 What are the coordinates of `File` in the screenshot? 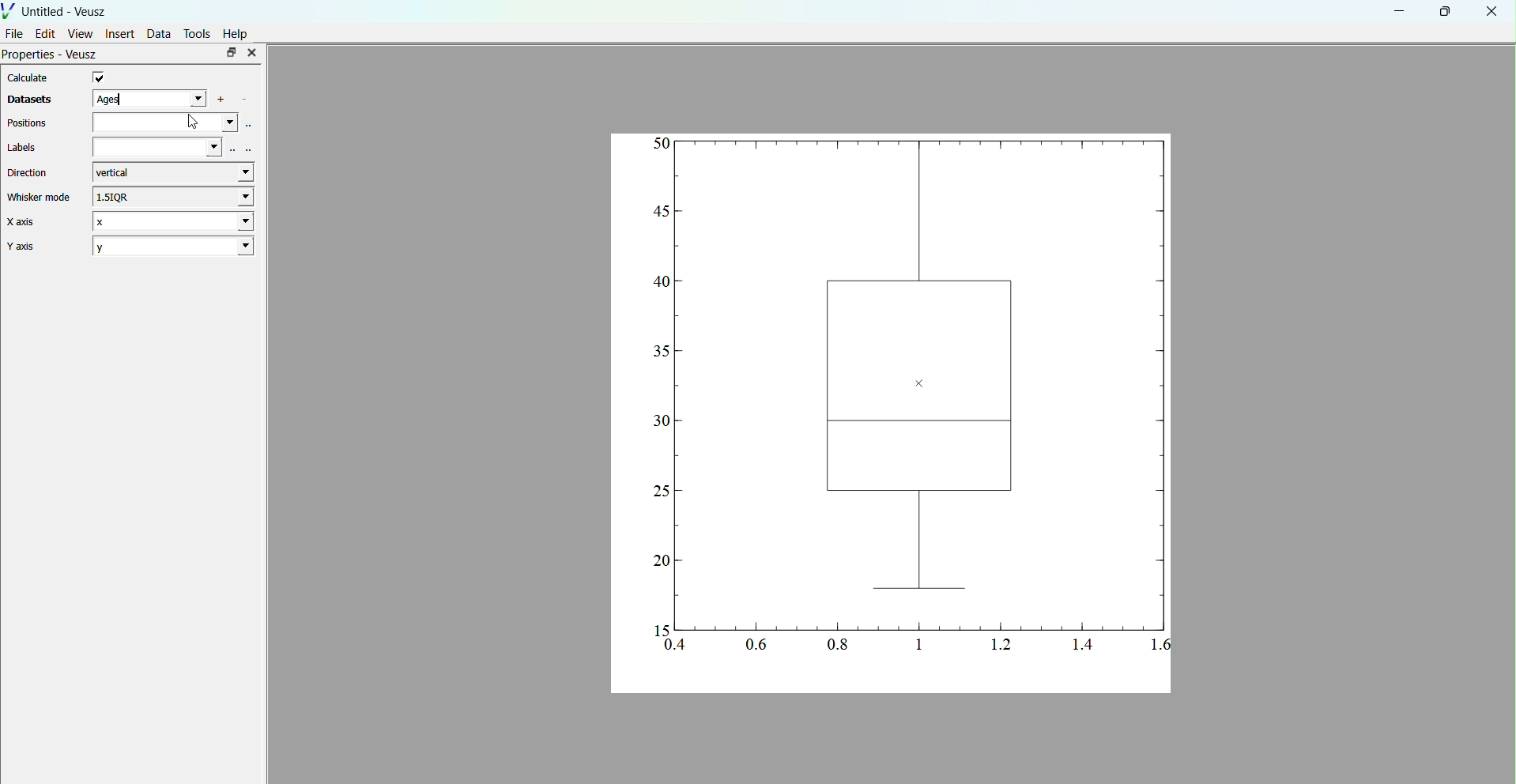 It's located at (15, 32).